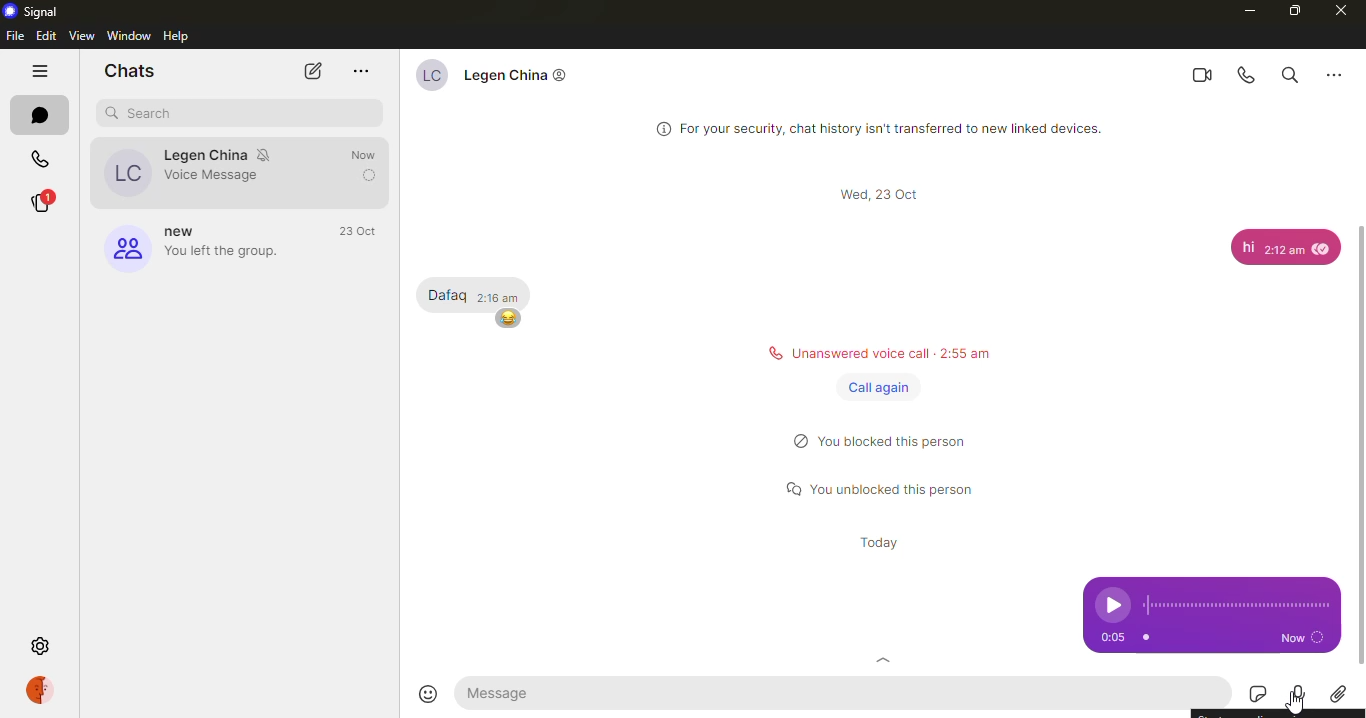 This screenshot has width=1366, height=718. Describe the element at coordinates (315, 71) in the screenshot. I see `new chat` at that location.